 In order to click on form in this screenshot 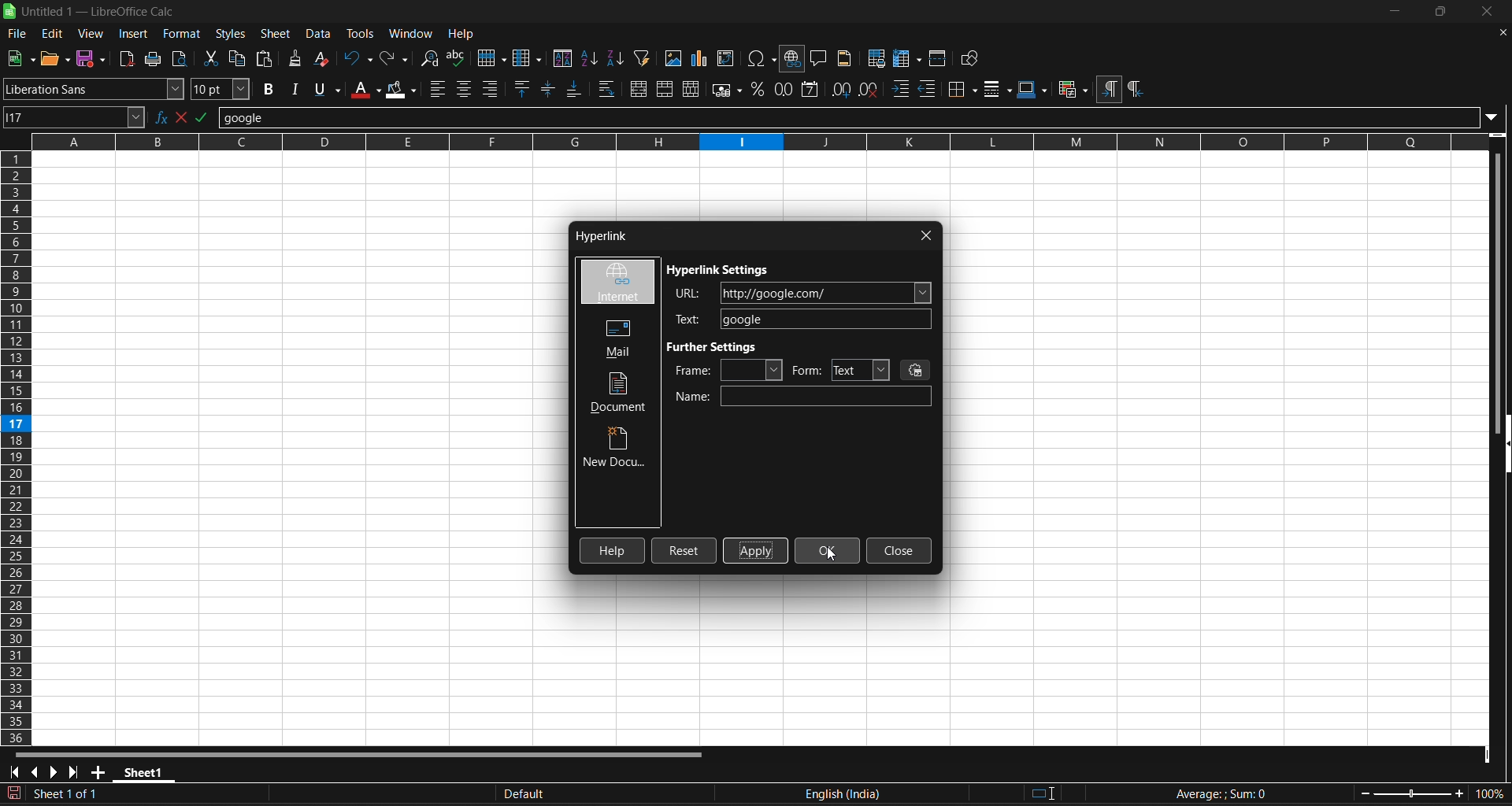, I will do `click(840, 370)`.